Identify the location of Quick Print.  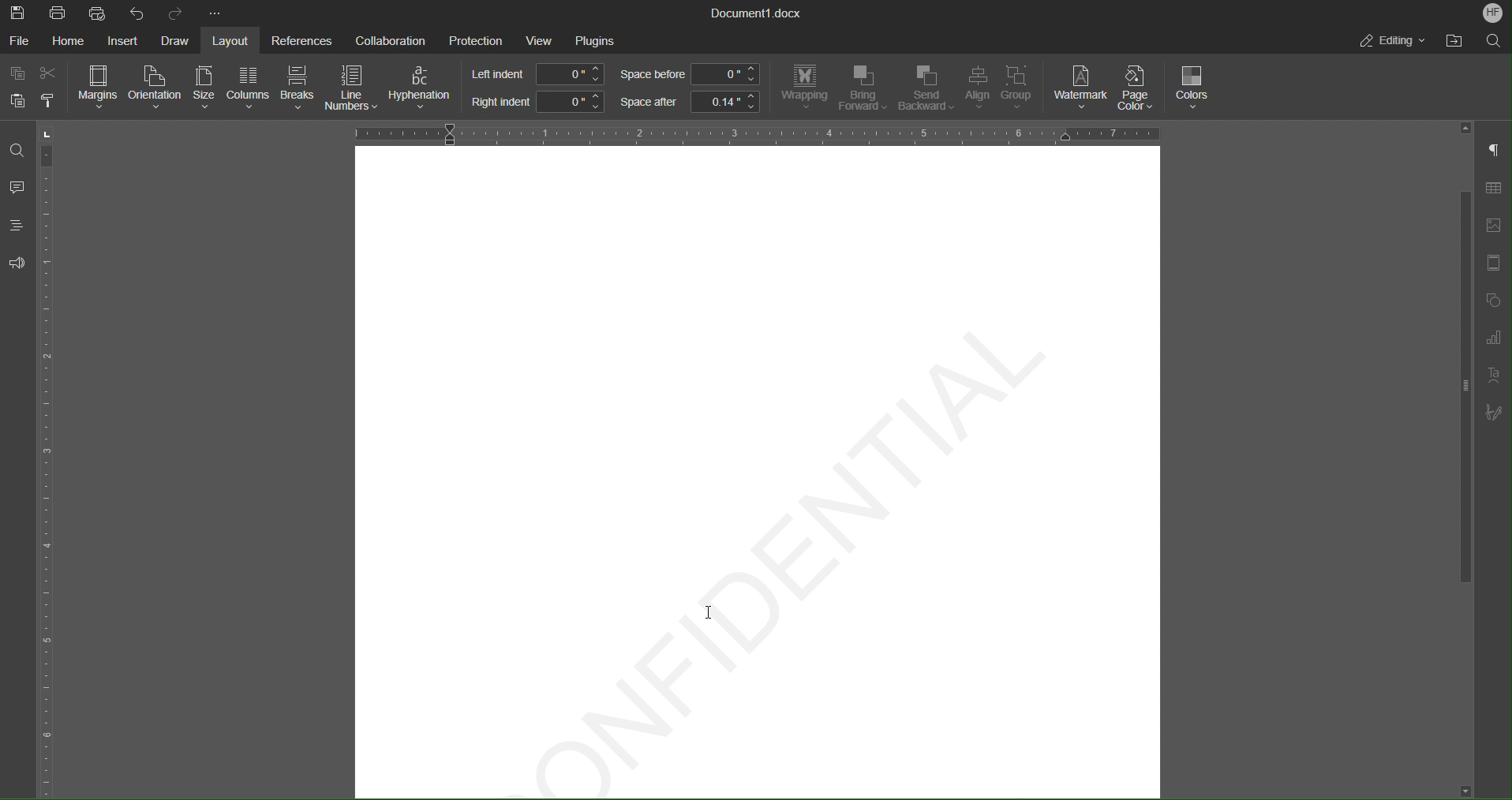
(99, 13).